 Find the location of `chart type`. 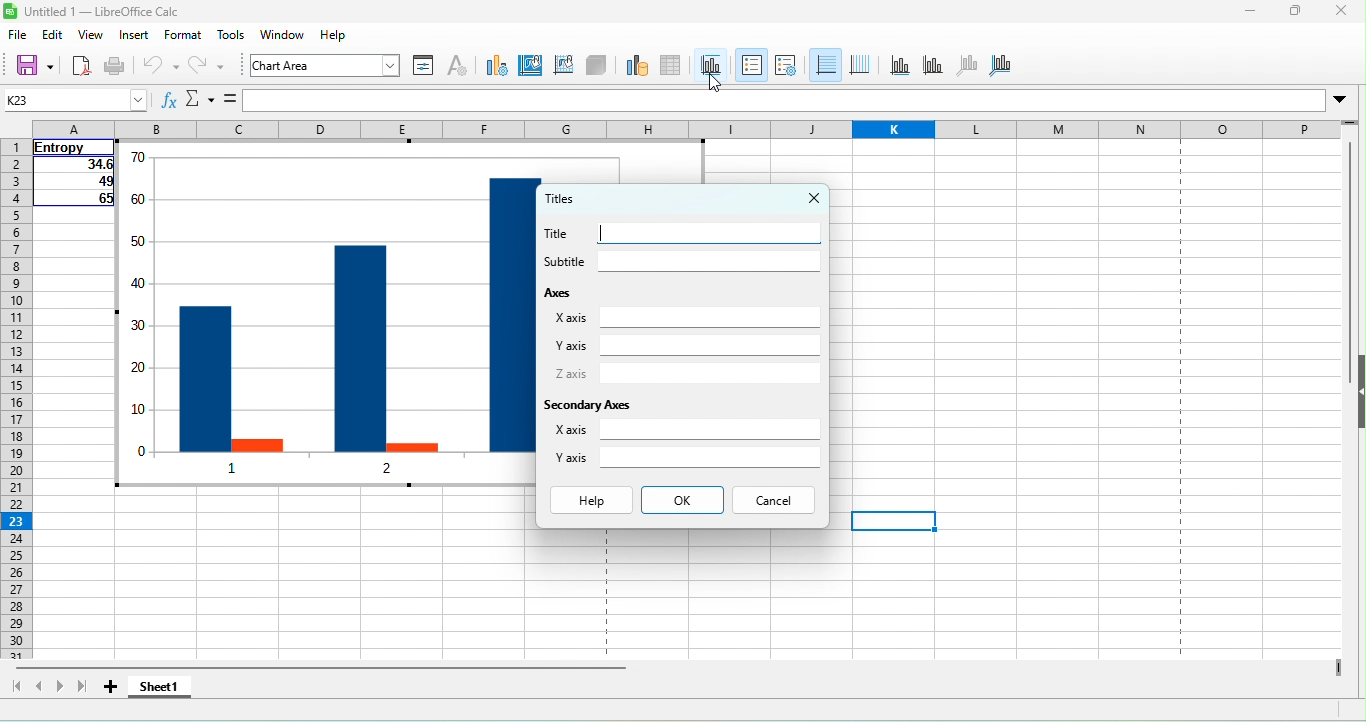

chart type is located at coordinates (496, 69).